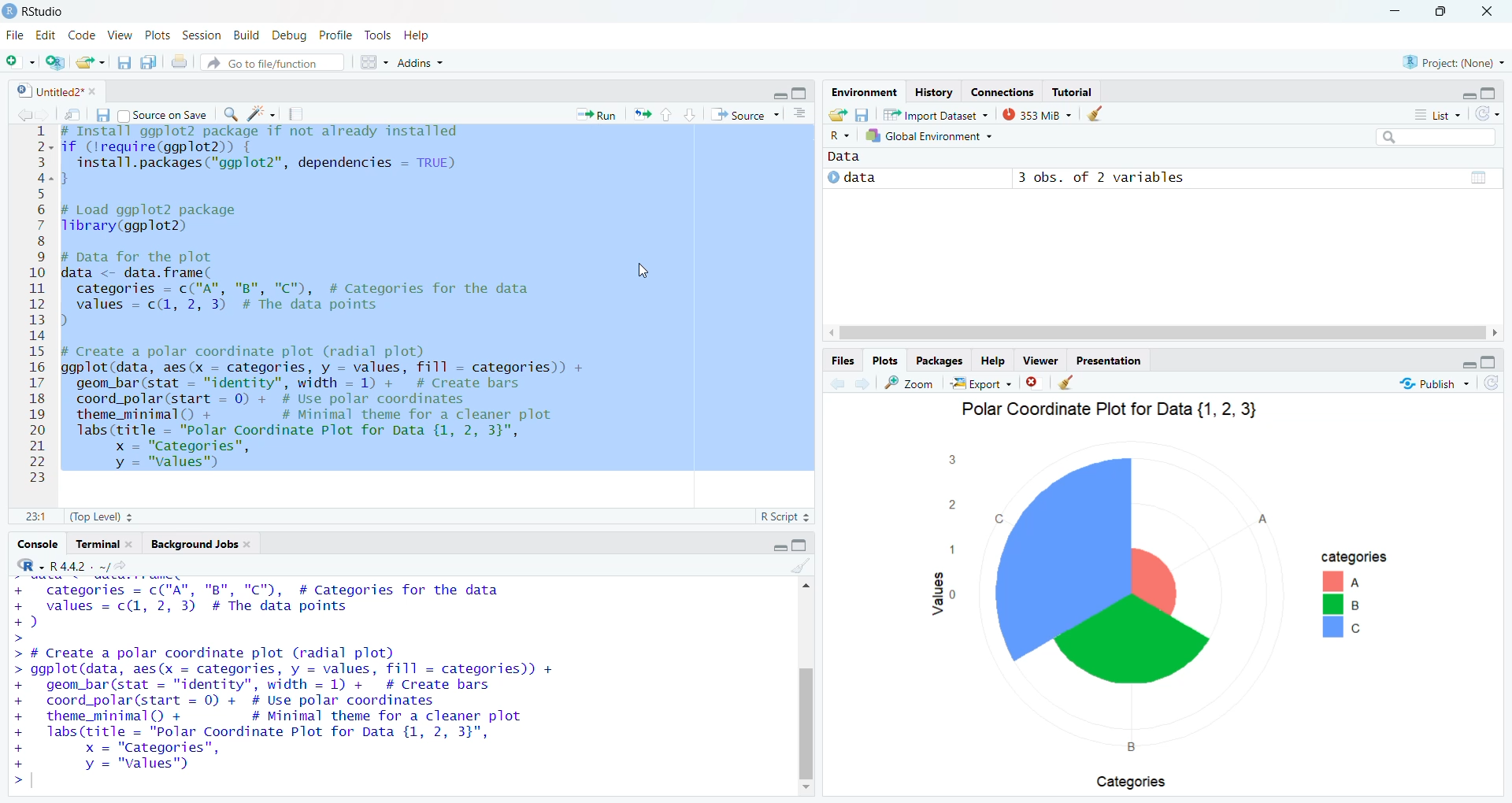  I want to click on Connections., so click(1005, 93).